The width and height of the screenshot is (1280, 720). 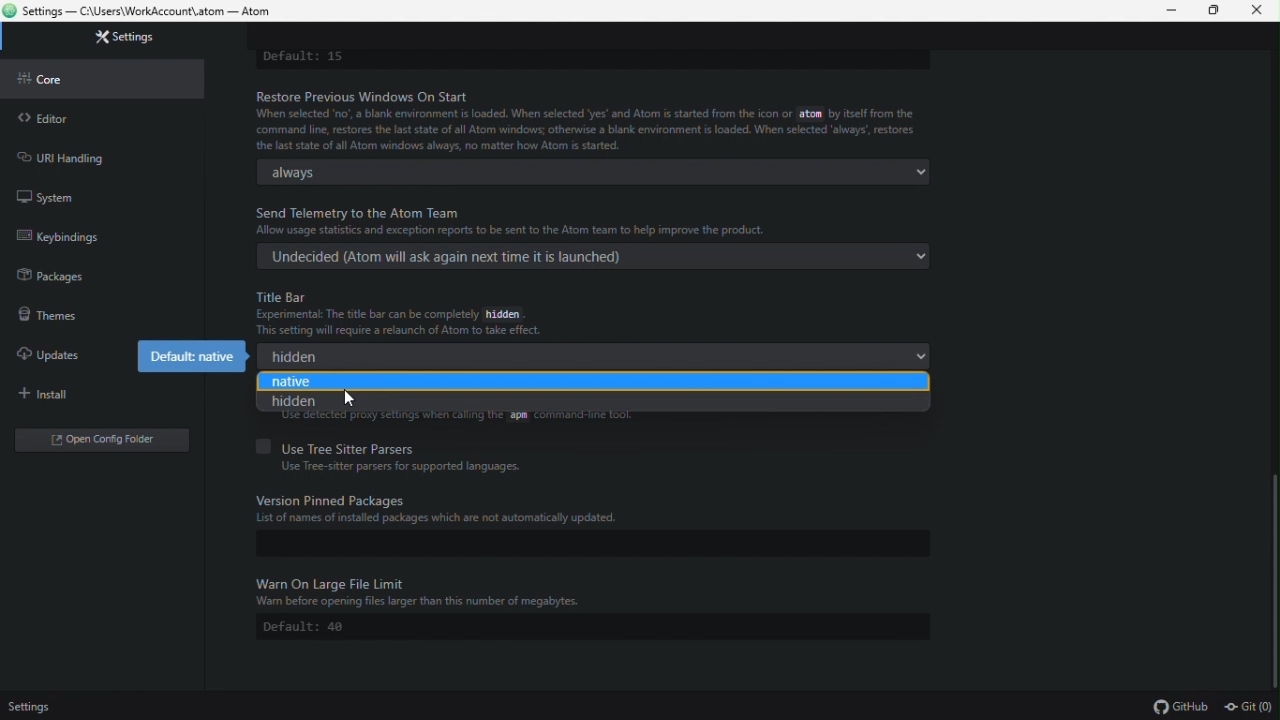 I want to click on Title Bar, so click(x=284, y=296).